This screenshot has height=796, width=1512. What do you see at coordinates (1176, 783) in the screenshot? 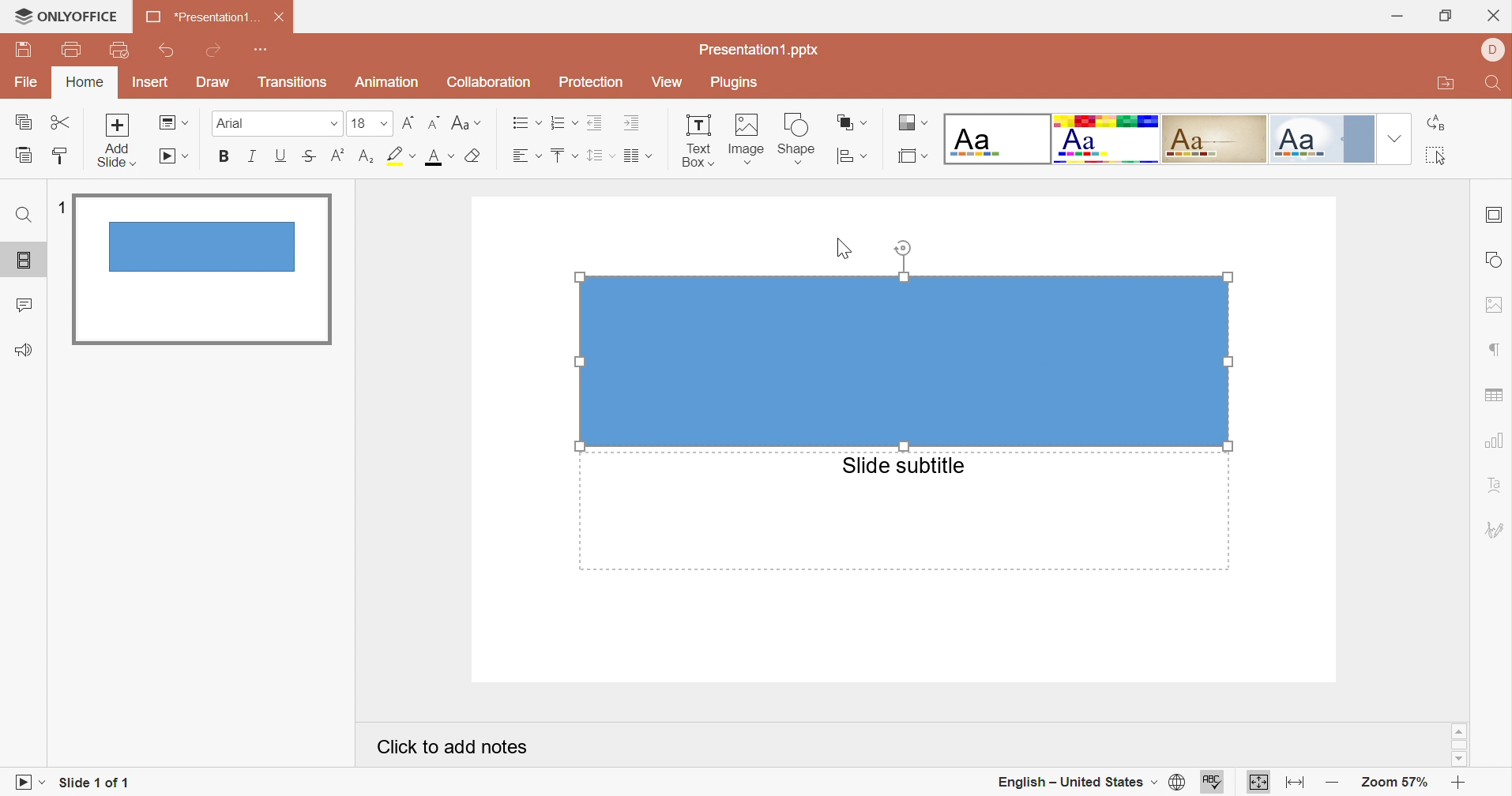
I see `Set document langauge` at bounding box center [1176, 783].